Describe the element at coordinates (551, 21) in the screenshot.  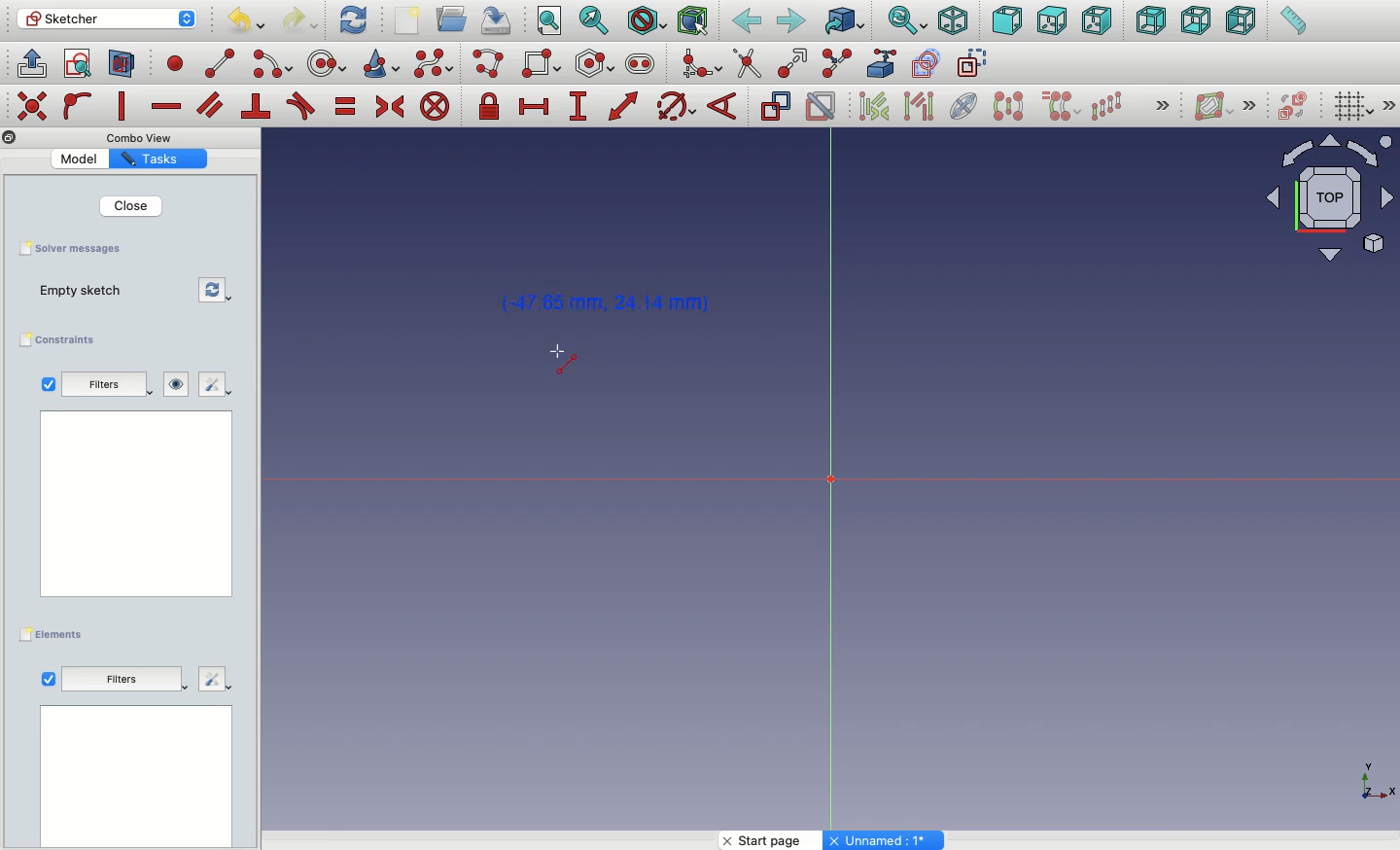
I see `Fit all` at that location.